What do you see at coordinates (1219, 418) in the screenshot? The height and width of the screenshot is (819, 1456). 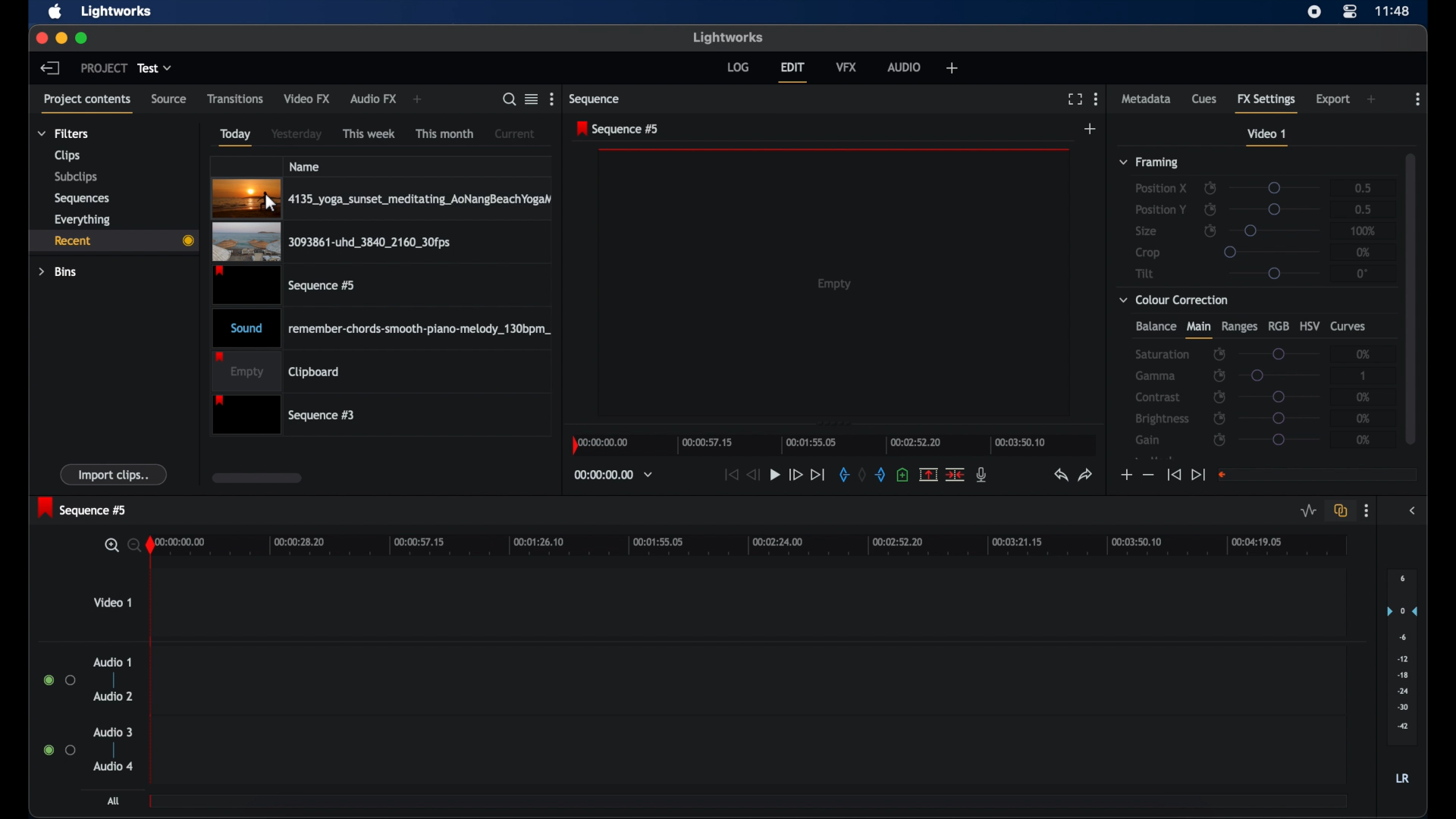 I see `enable/disable keyframes` at bounding box center [1219, 418].